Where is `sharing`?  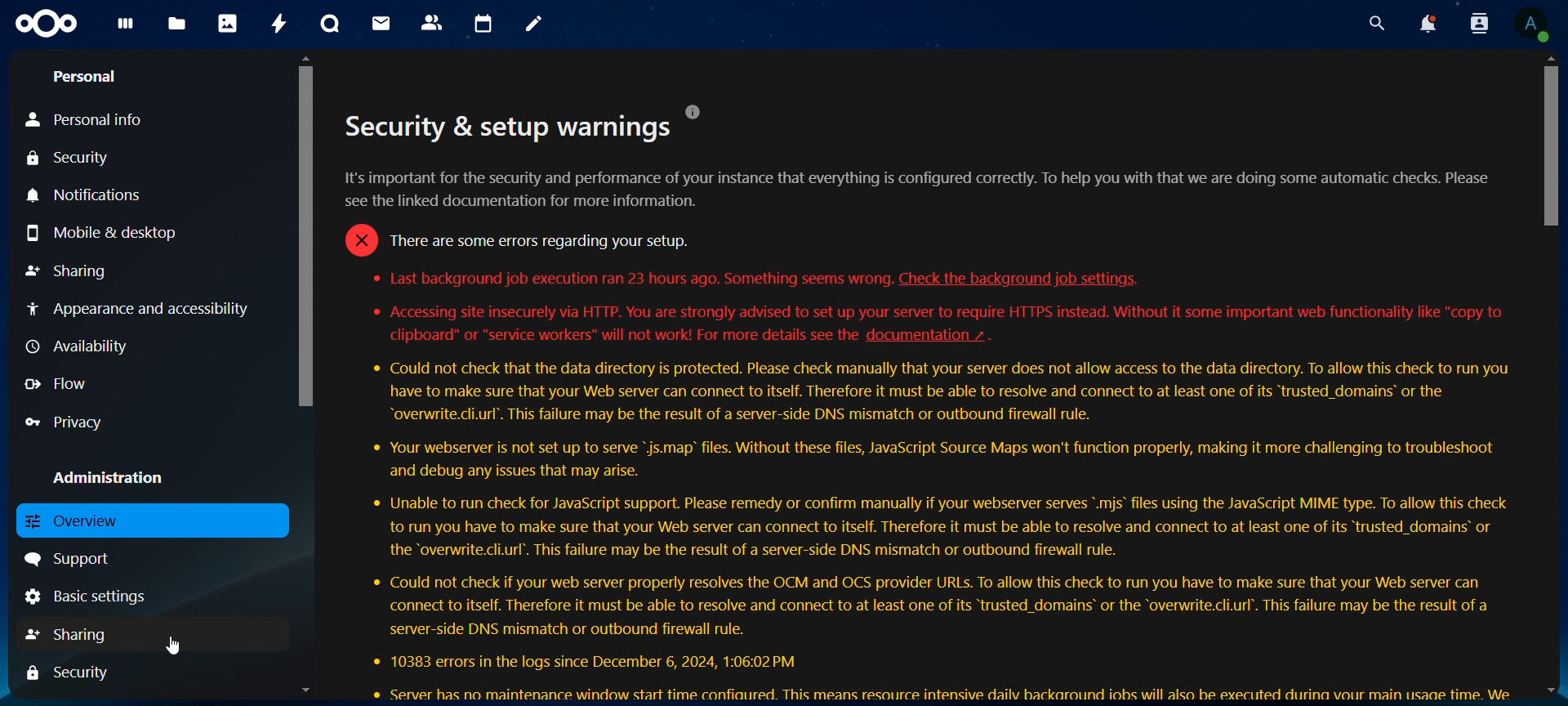
sharing is located at coordinates (69, 270).